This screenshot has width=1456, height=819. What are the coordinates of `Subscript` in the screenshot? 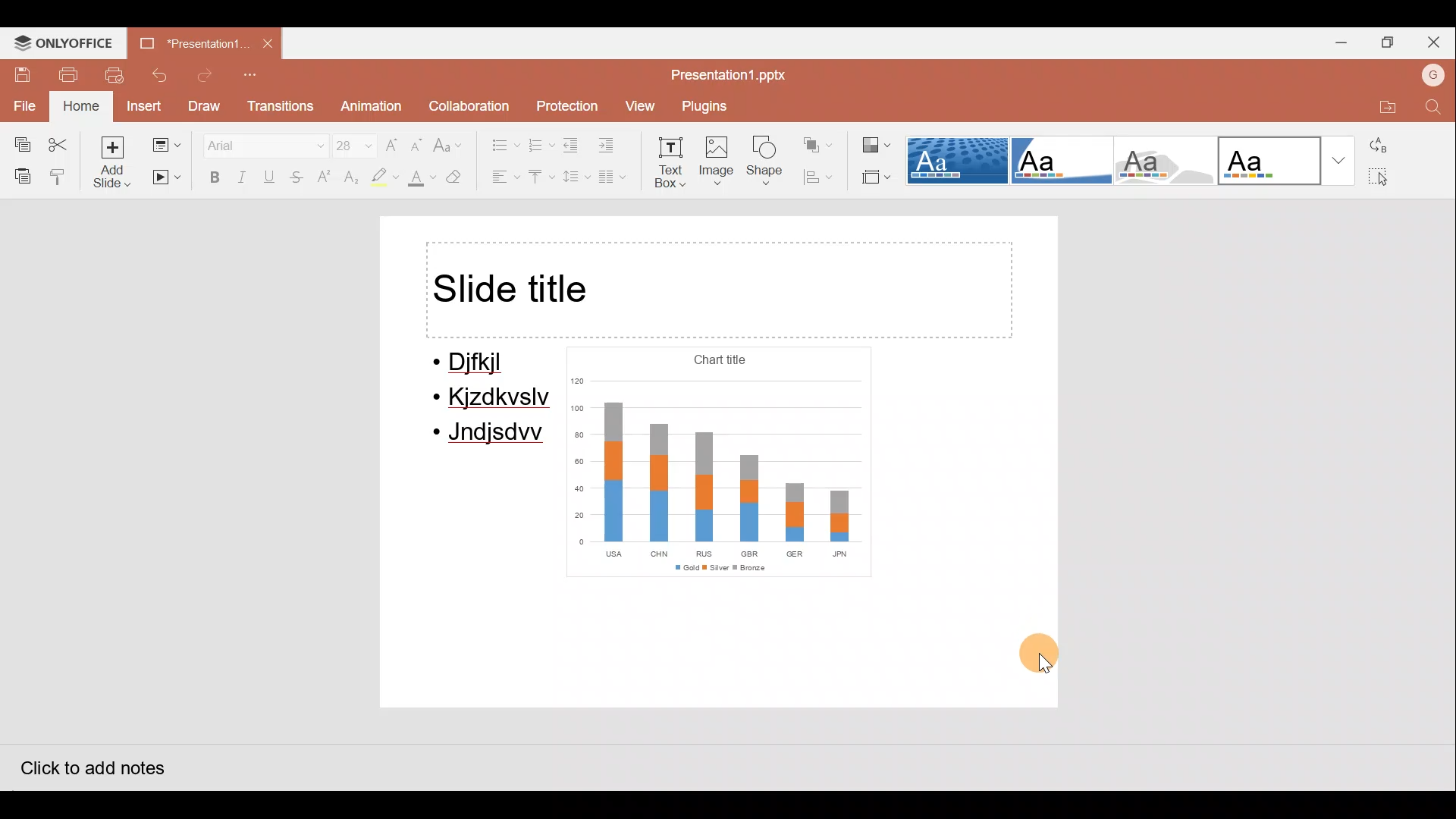 It's located at (349, 178).